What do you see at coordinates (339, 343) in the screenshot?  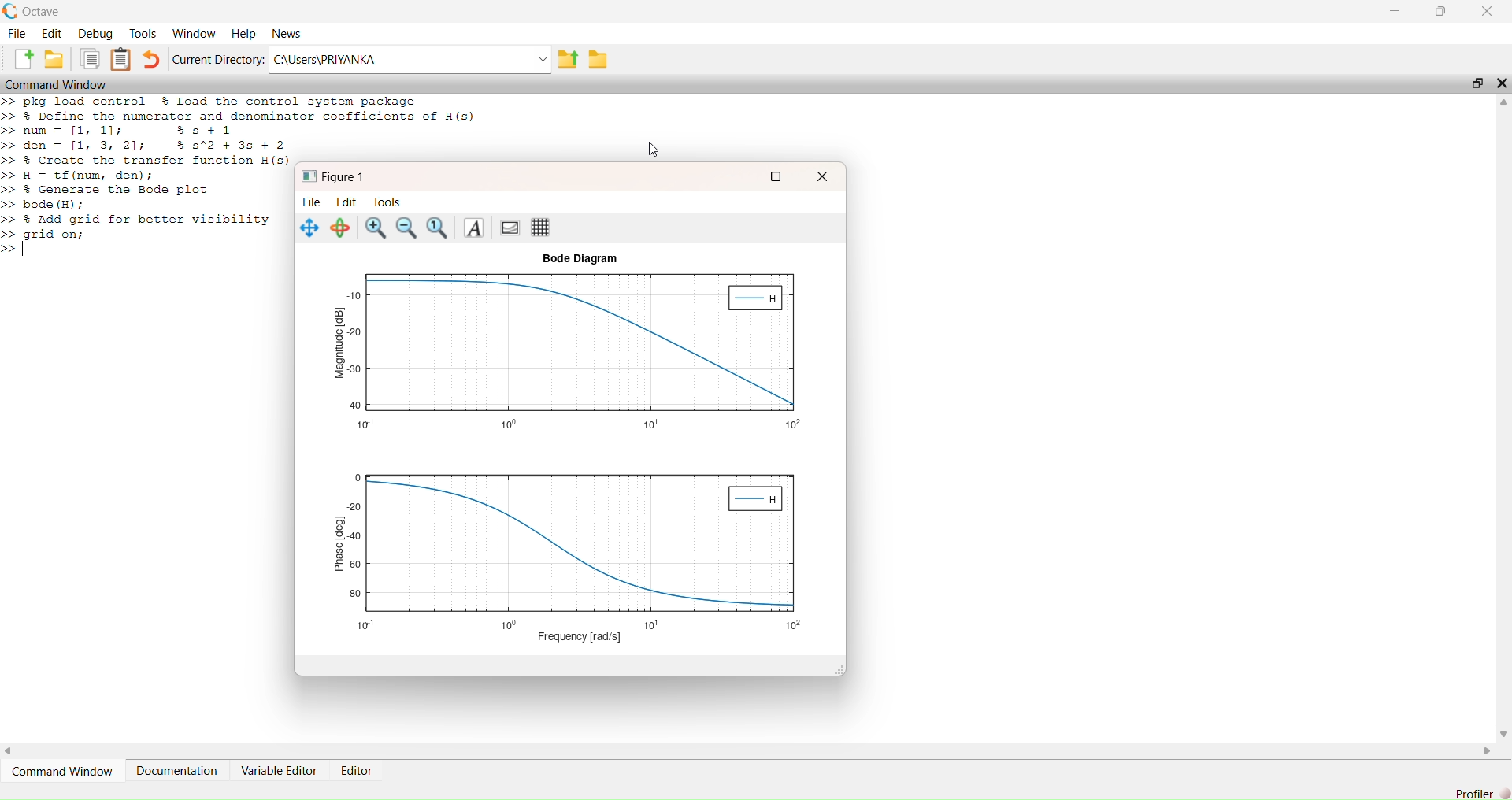 I see `Magnitude [dB]` at bounding box center [339, 343].